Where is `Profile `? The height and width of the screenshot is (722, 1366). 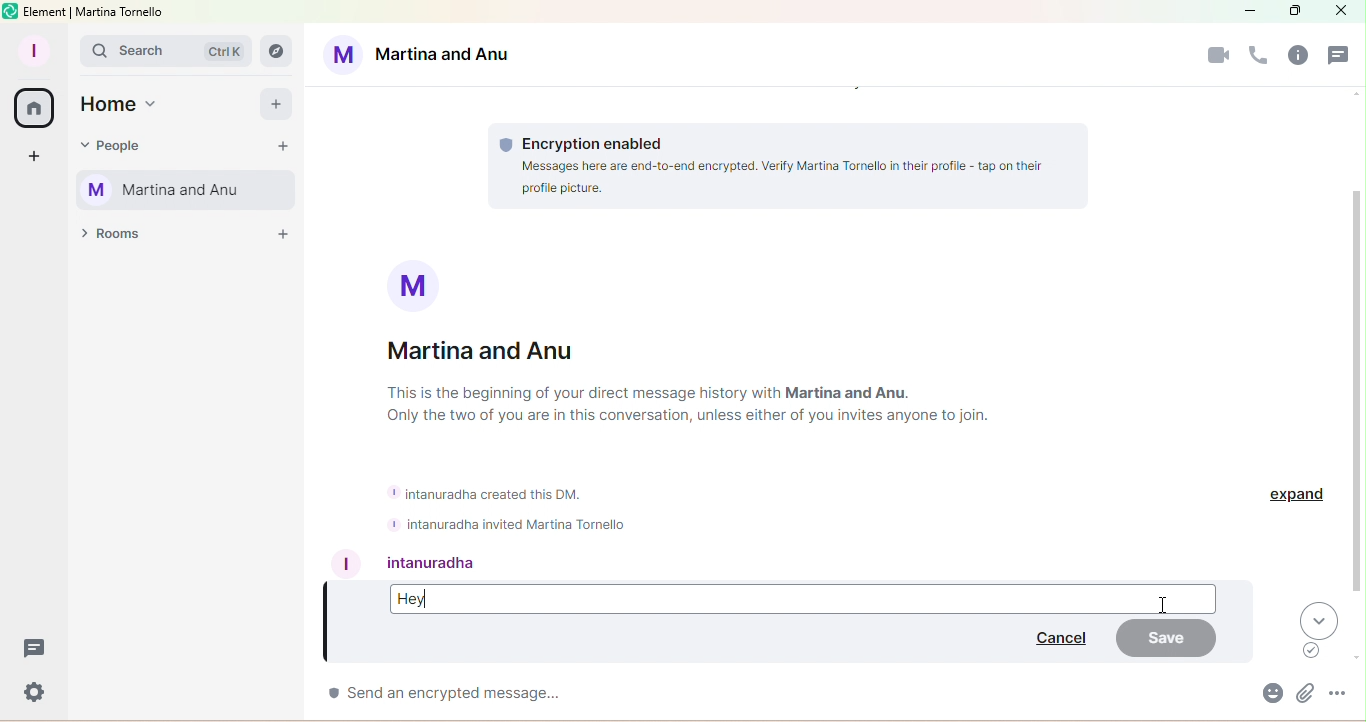 Profile  is located at coordinates (38, 47).